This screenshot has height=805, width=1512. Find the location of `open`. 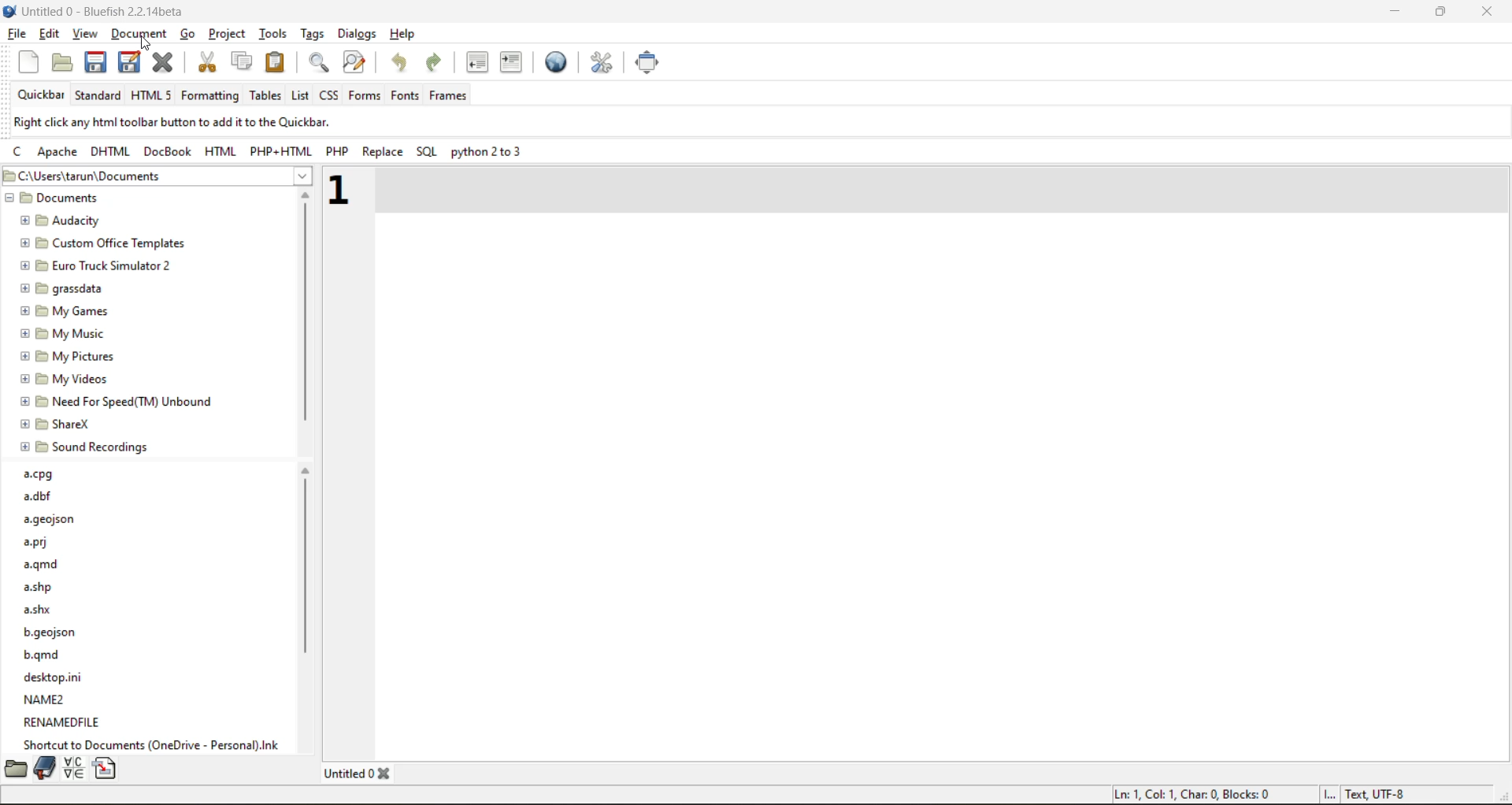

open is located at coordinates (62, 61).